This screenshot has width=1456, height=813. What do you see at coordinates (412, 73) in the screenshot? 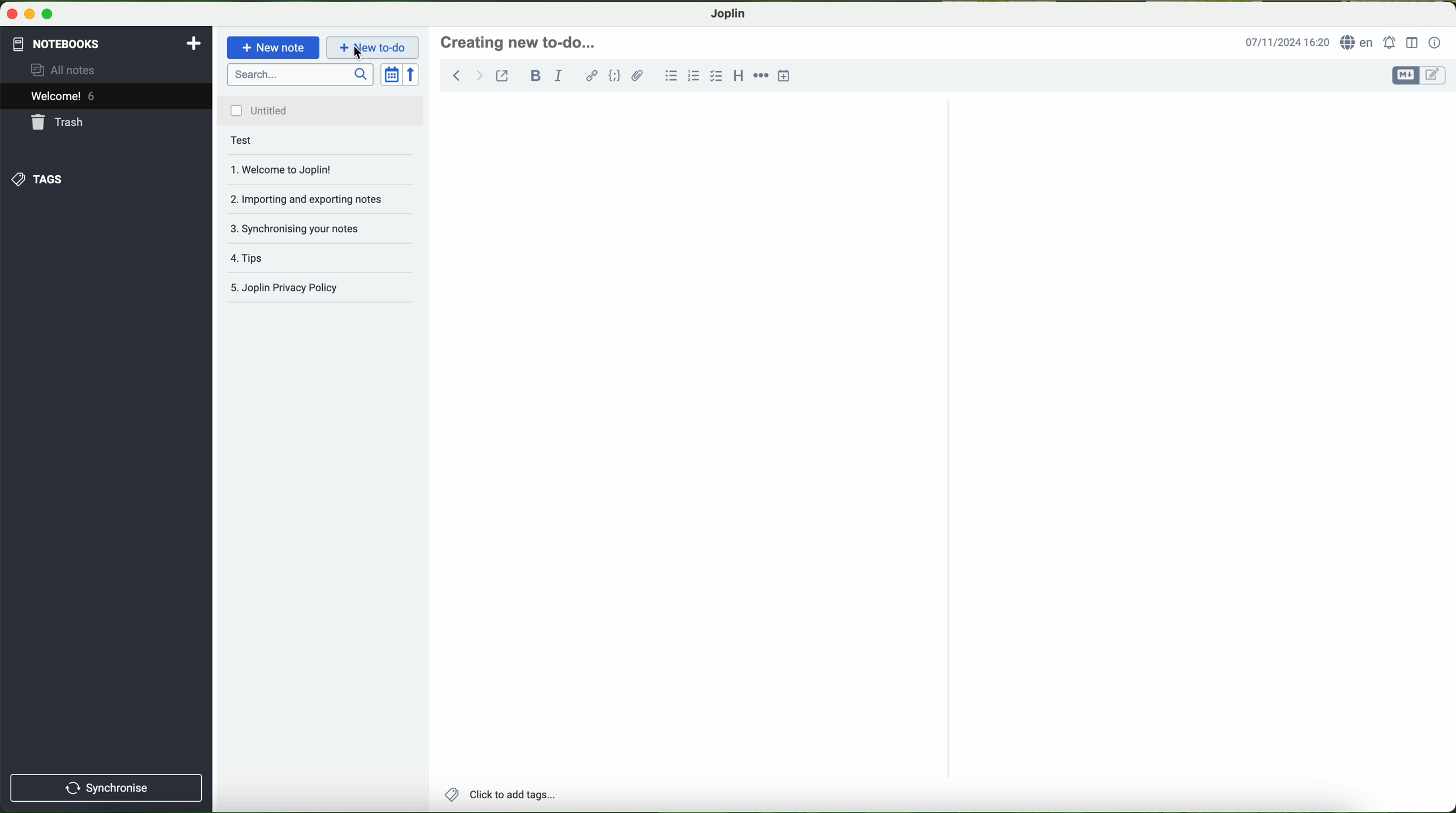
I see `reverse sort order` at bounding box center [412, 73].